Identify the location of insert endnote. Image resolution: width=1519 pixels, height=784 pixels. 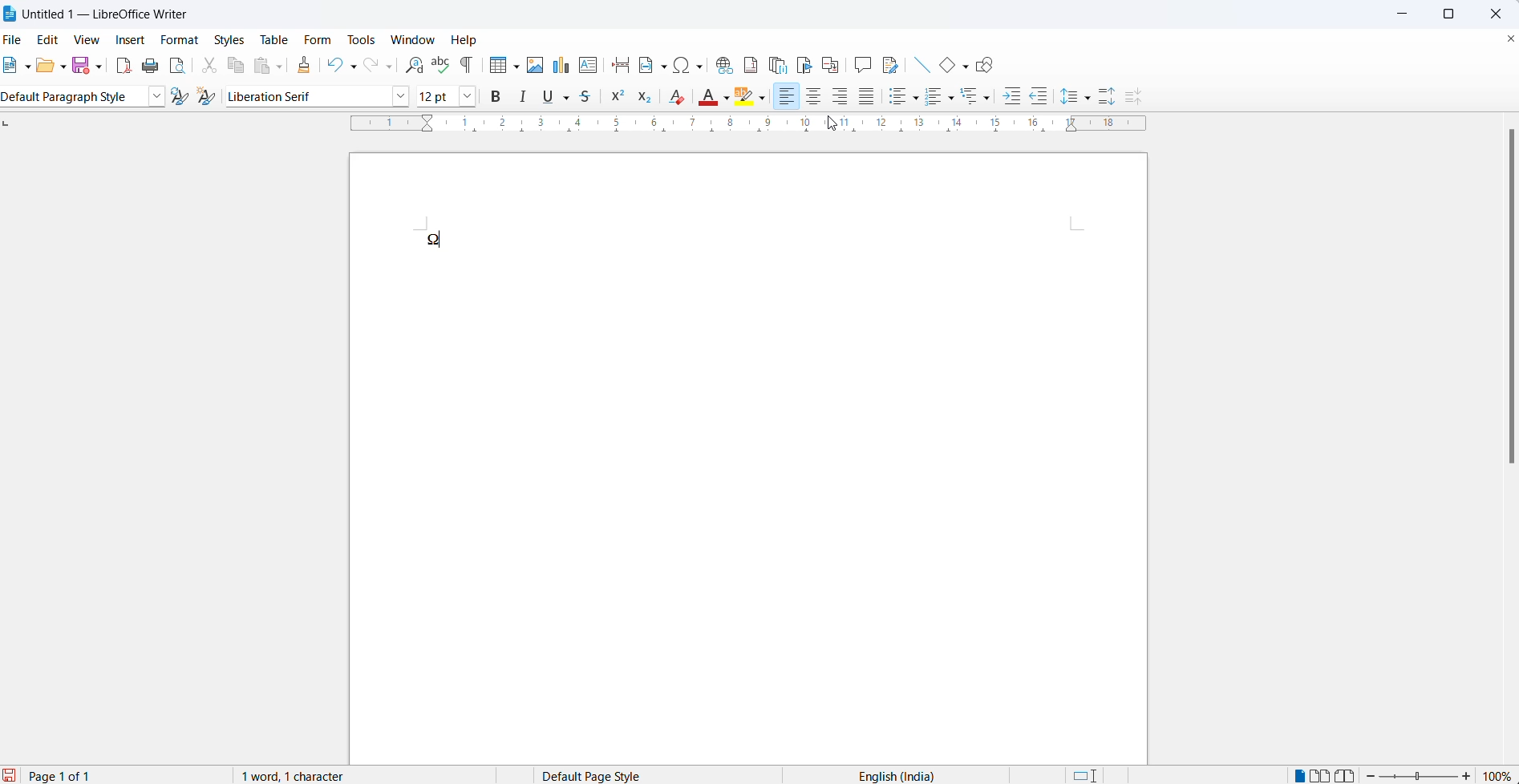
(777, 63).